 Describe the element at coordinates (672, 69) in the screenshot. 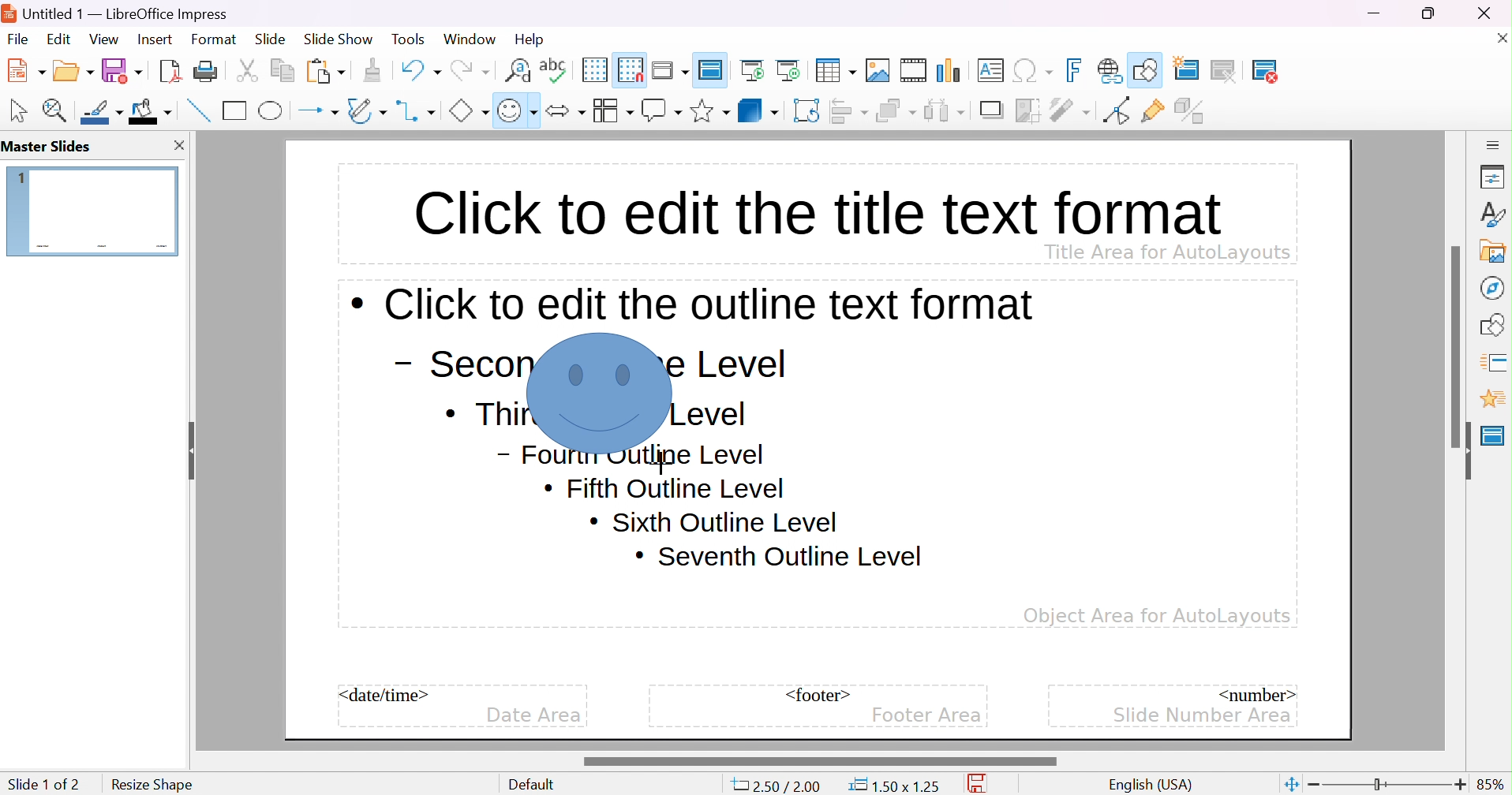

I see `display views` at that location.